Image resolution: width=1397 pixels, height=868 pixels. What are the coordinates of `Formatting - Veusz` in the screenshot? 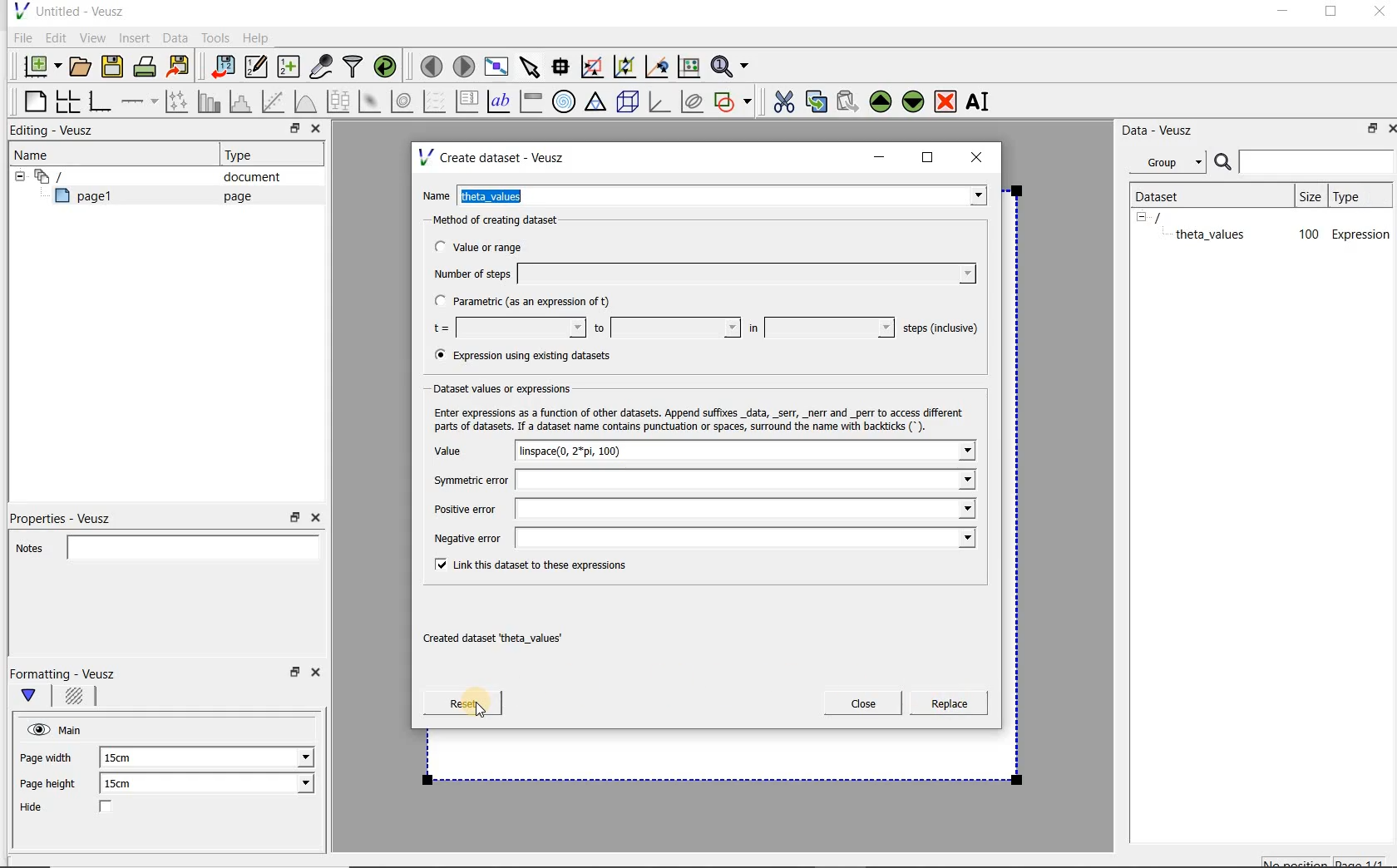 It's located at (65, 673).